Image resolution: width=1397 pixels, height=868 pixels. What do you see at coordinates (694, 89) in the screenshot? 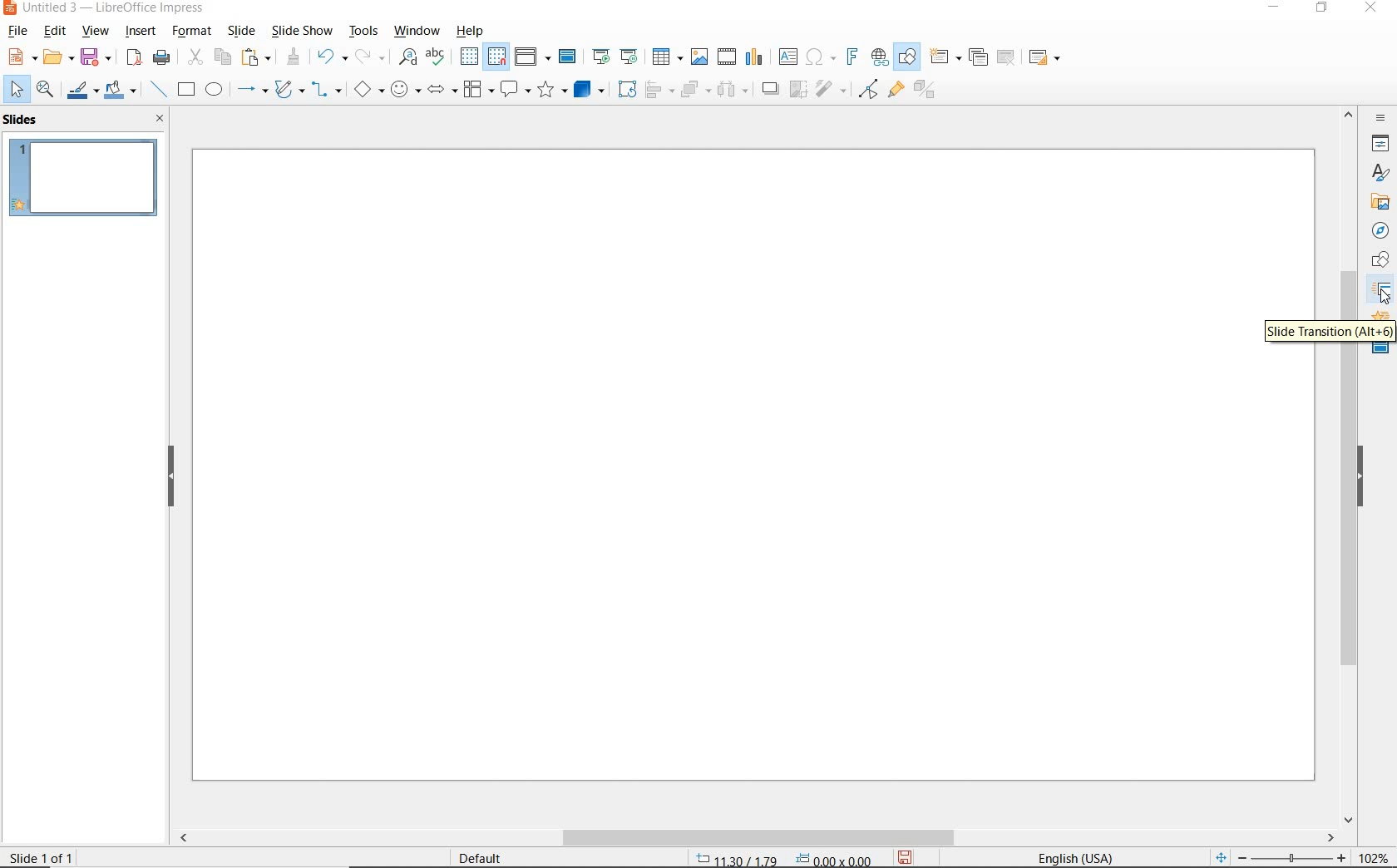
I see `ARRANGE` at bounding box center [694, 89].